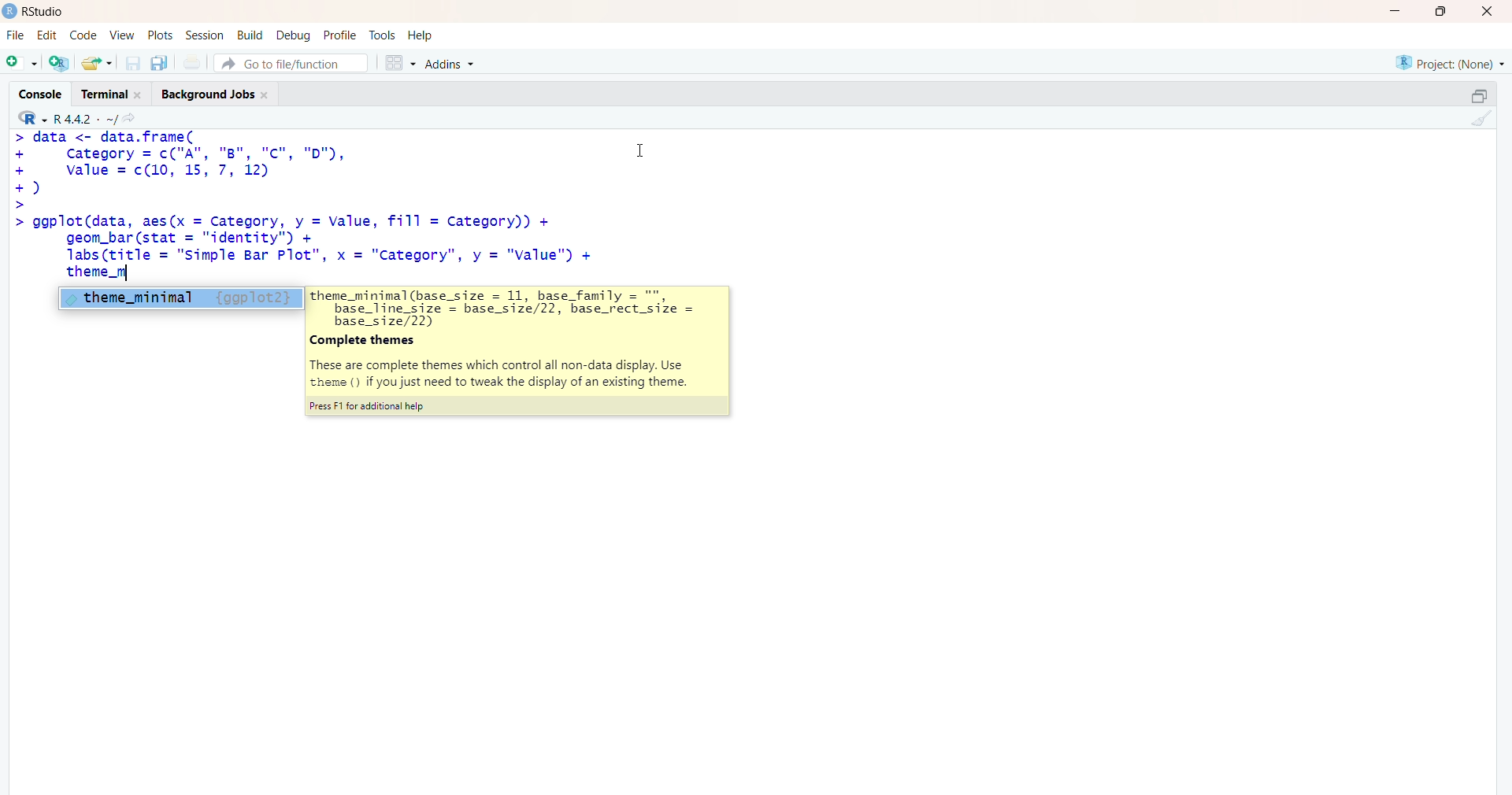  Describe the element at coordinates (44, 92) in the screenshot. I see `Console` at that location.